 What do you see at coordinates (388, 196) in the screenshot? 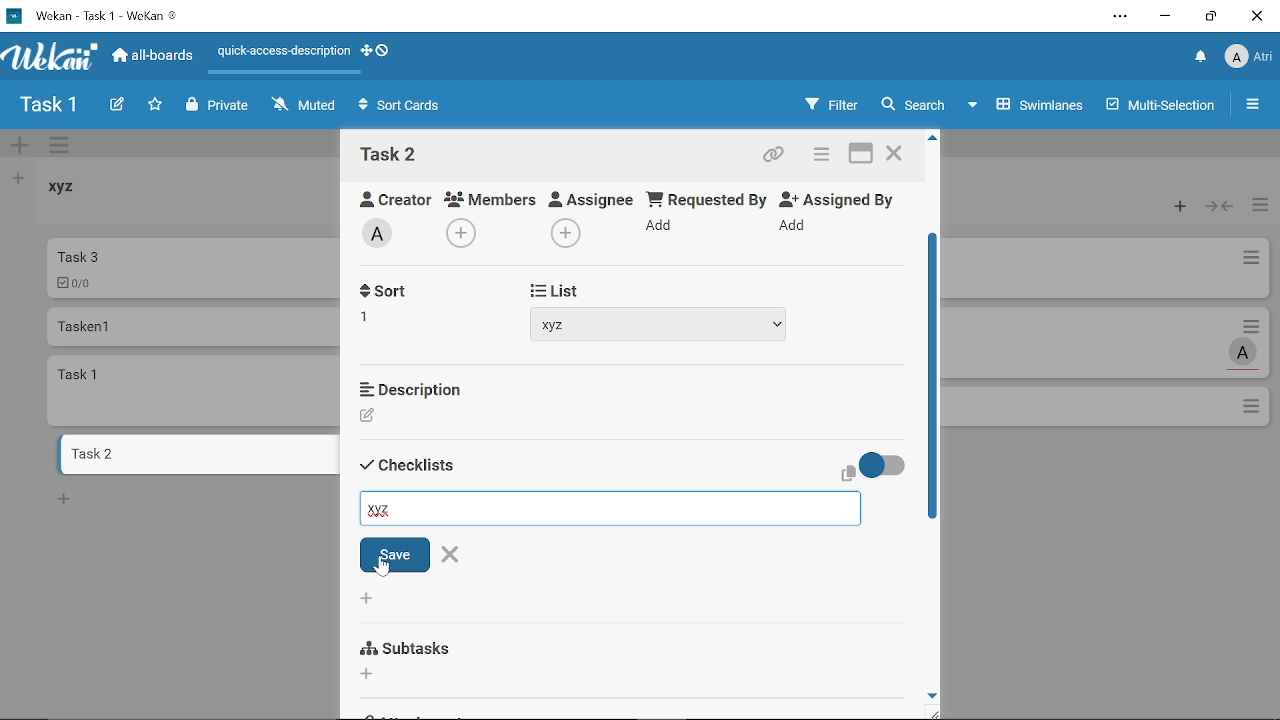
I see `Creator` at bounding box center [388, 196].